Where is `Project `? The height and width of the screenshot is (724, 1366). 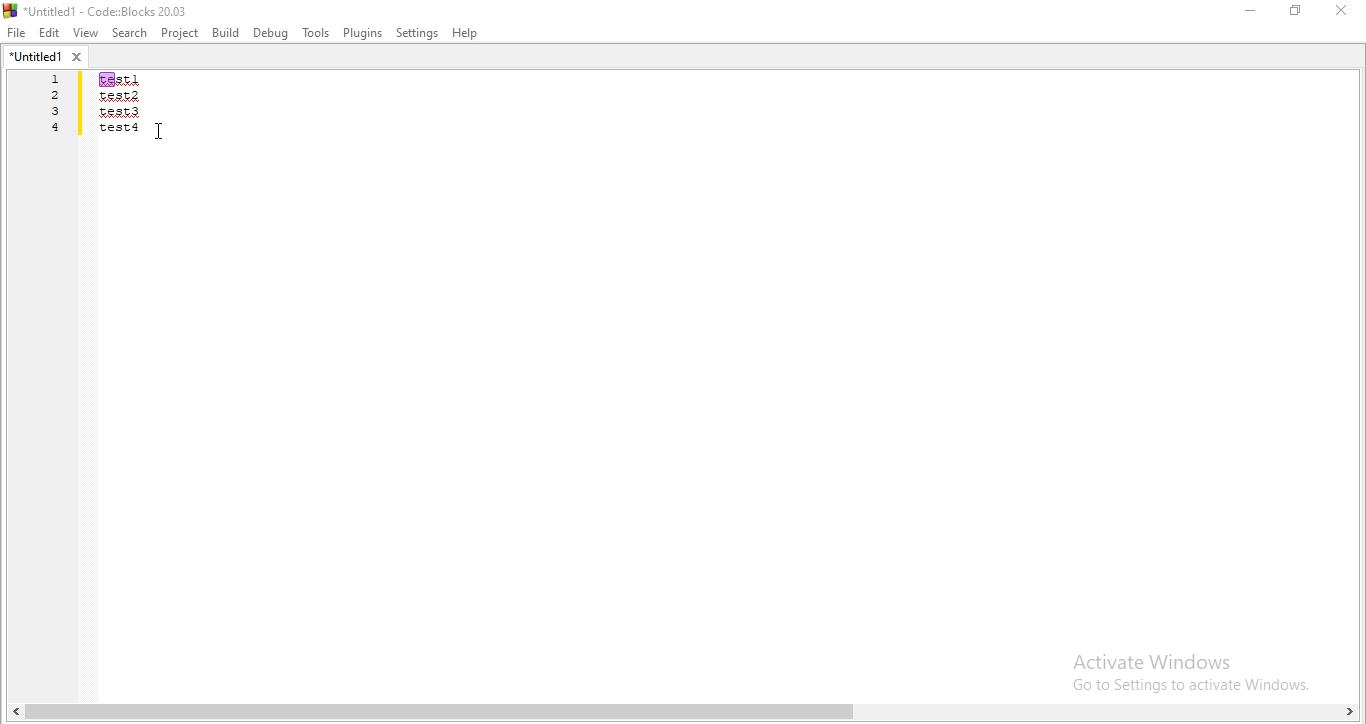 Project  is located at coordinates (179, 33).